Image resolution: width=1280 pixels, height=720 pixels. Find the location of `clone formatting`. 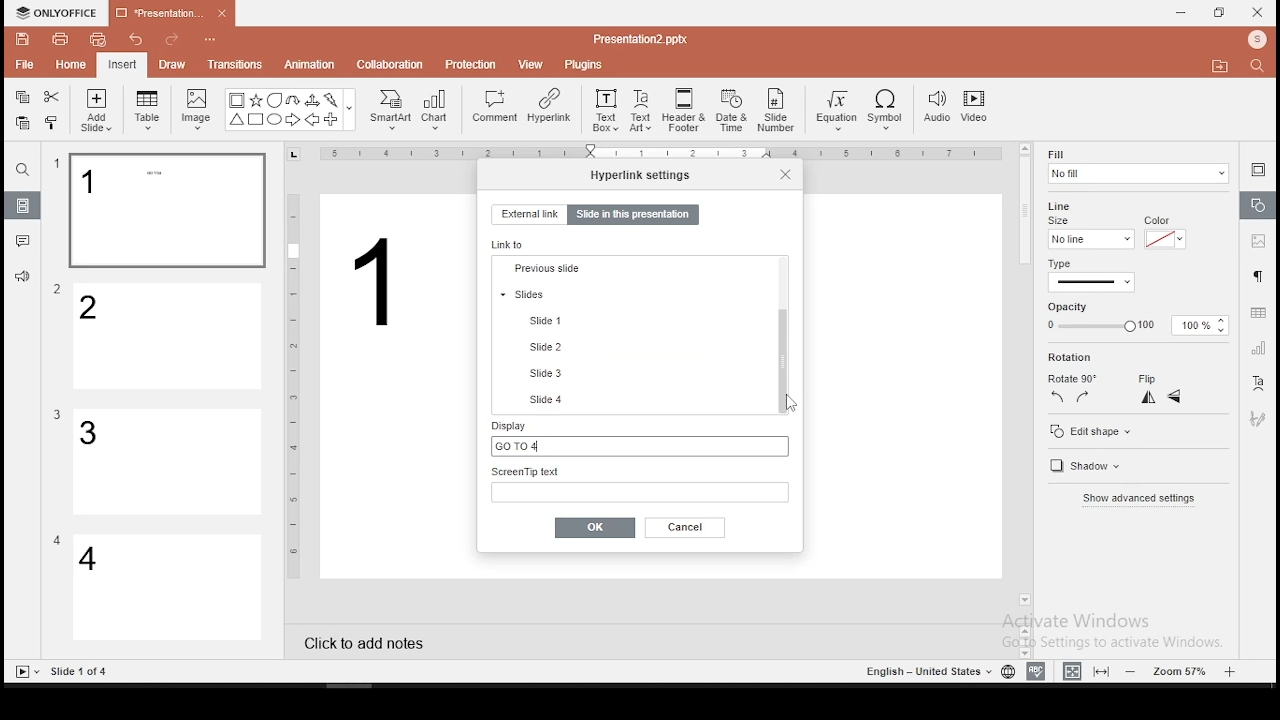

clone formatting is located at coordinates (52, 122).